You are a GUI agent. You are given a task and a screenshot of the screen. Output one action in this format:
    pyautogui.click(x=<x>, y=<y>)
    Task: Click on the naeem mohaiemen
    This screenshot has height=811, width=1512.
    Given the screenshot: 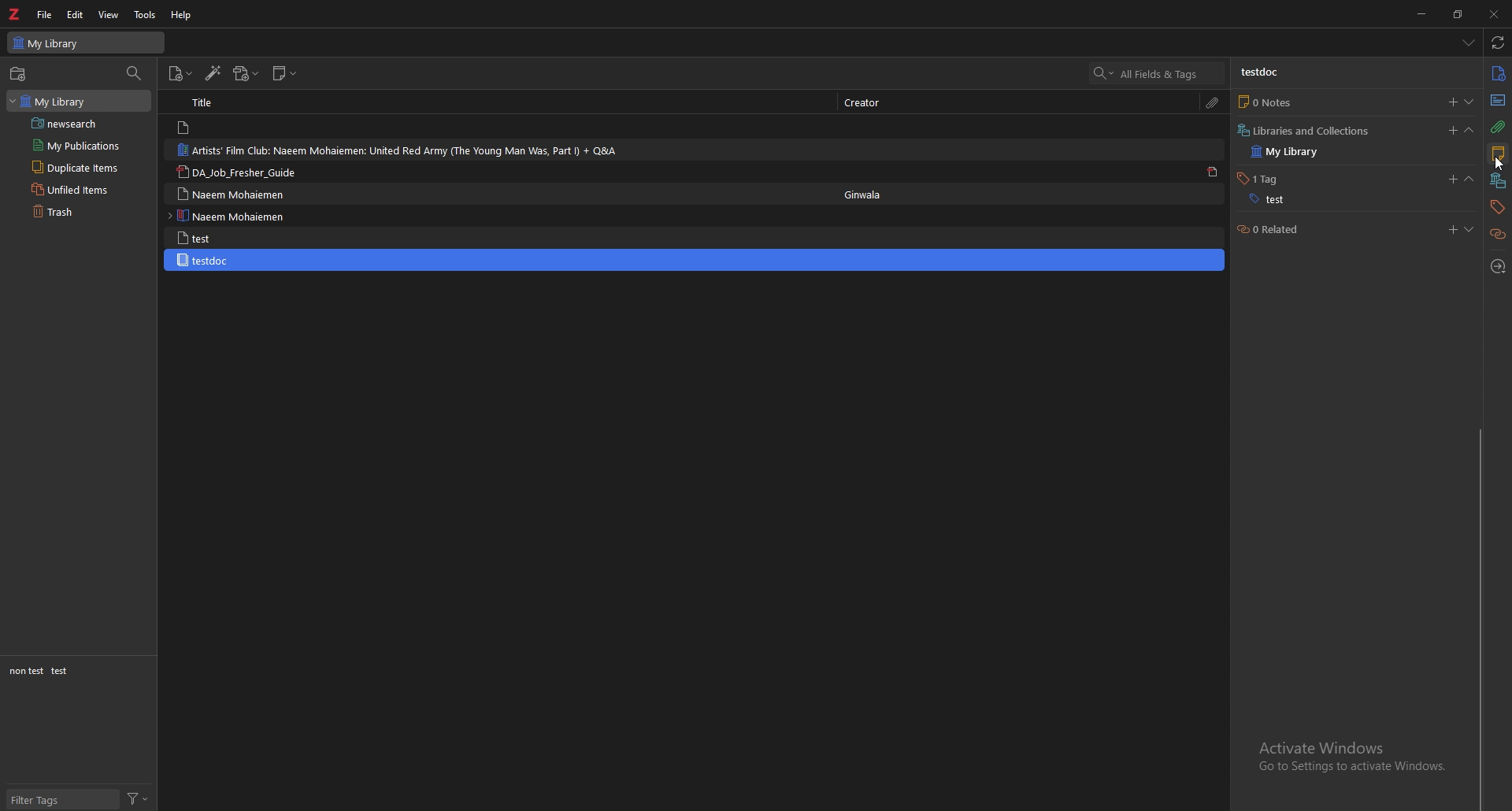 What is the action you would take?
    pyautogui.click(x=231, y=216)
    